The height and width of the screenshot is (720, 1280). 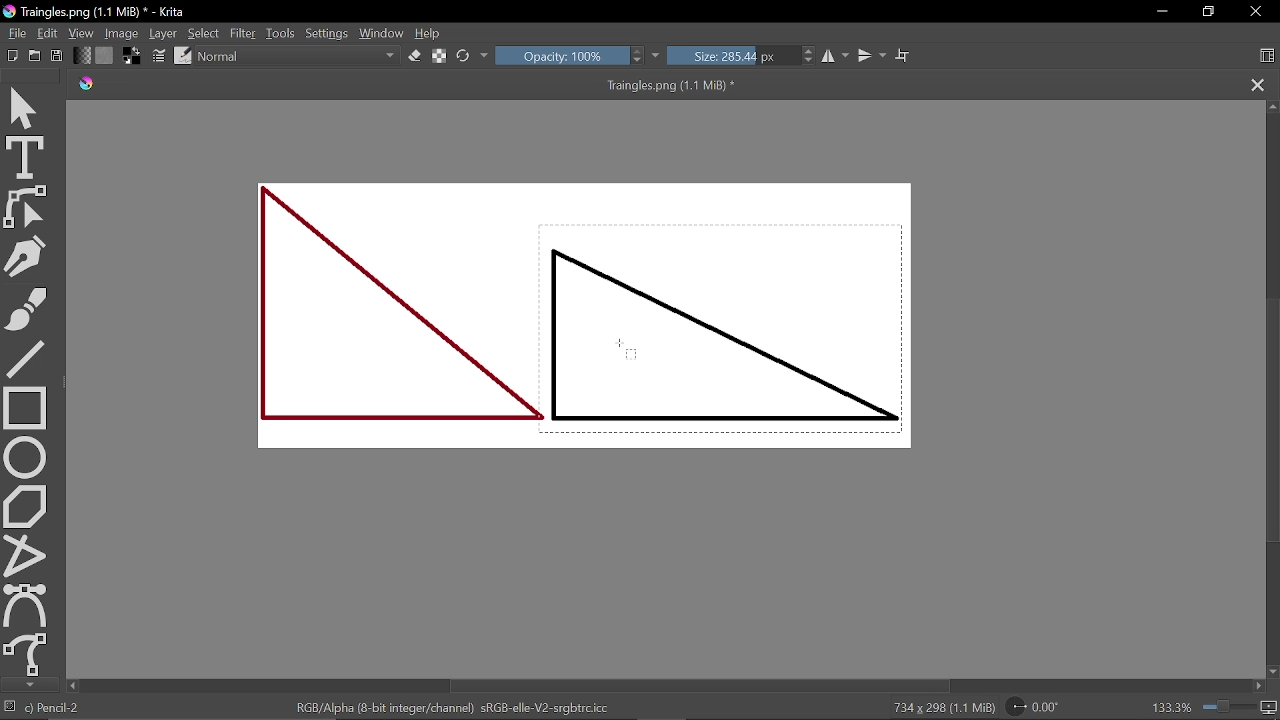 What do you see at coordinates (1266, 55) in the screenshot?
I see `Choose workspace` at bounding box center [1266, 55].